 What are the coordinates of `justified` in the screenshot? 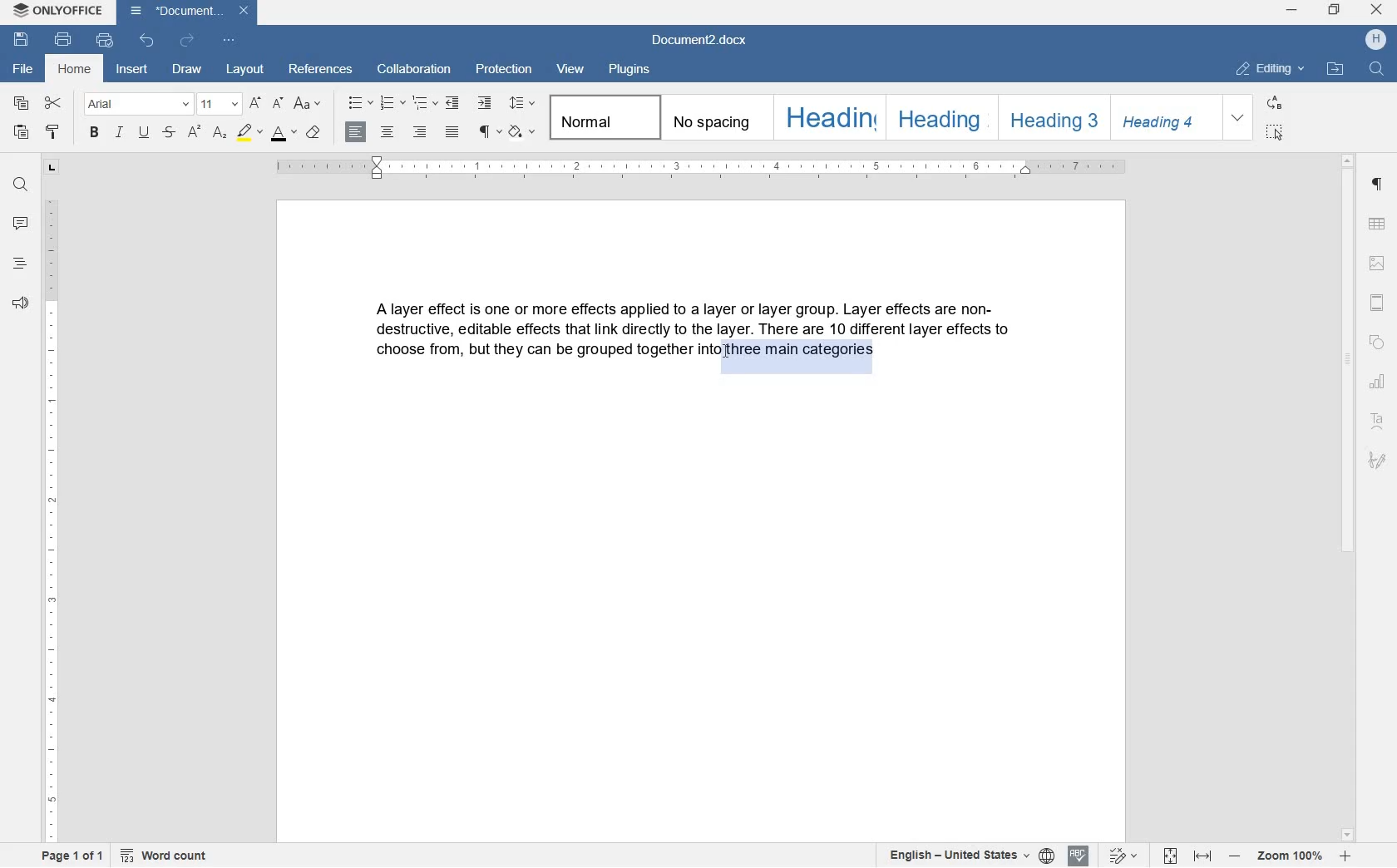 It's located at (452, 132).